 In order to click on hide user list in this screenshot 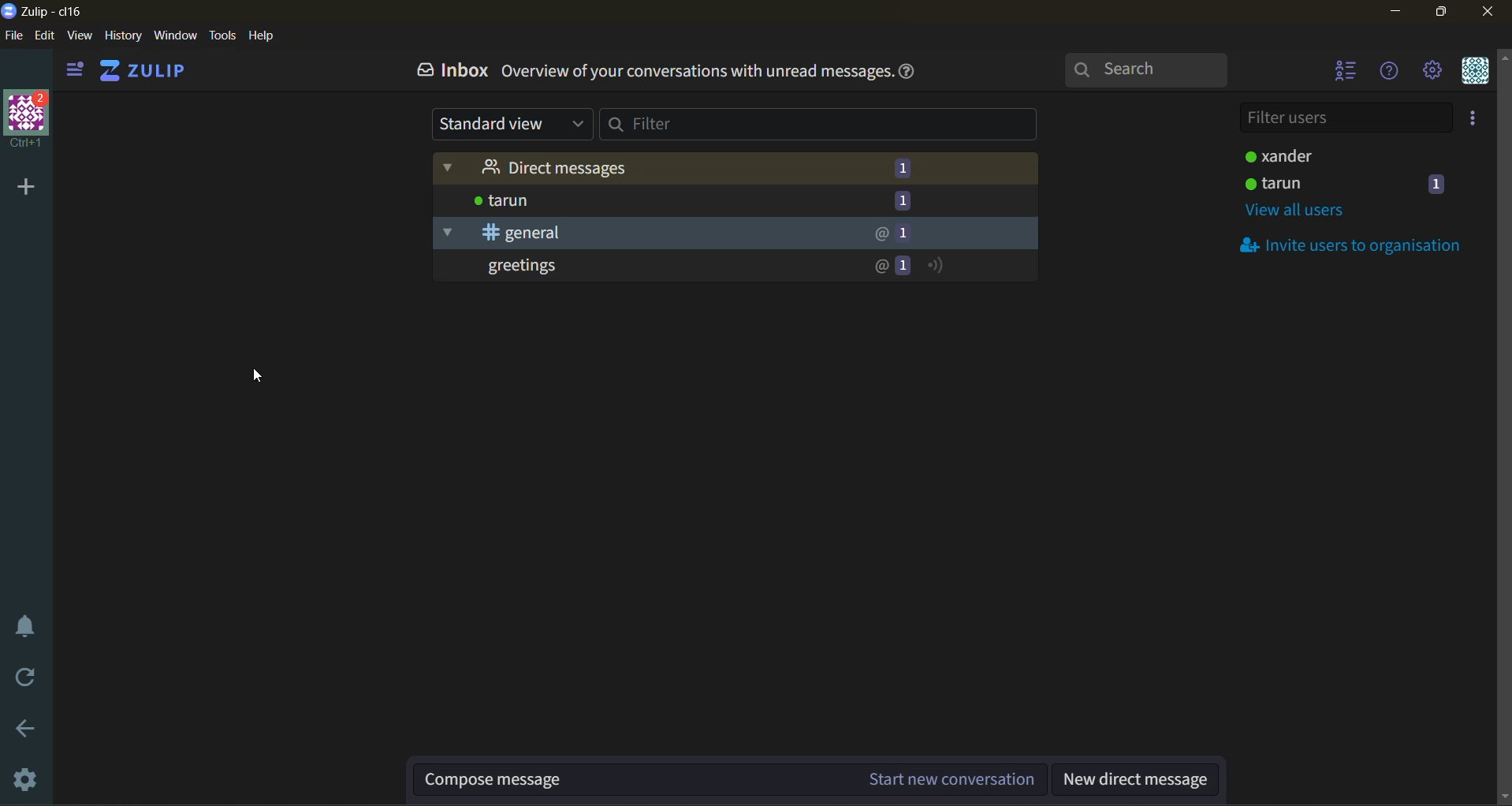, I will do `click(1344, 72)`.